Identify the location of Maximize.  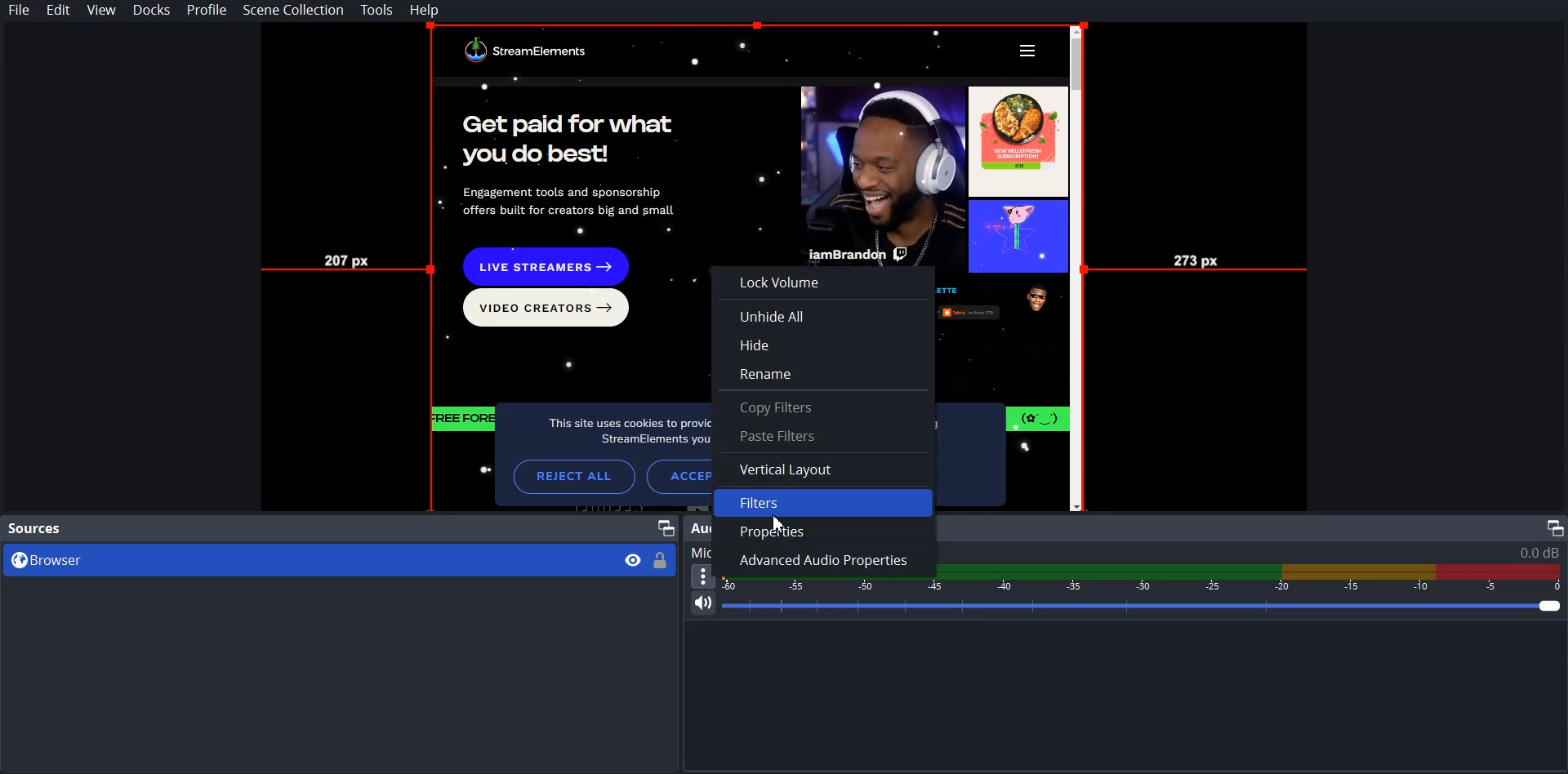
(1554, 527).